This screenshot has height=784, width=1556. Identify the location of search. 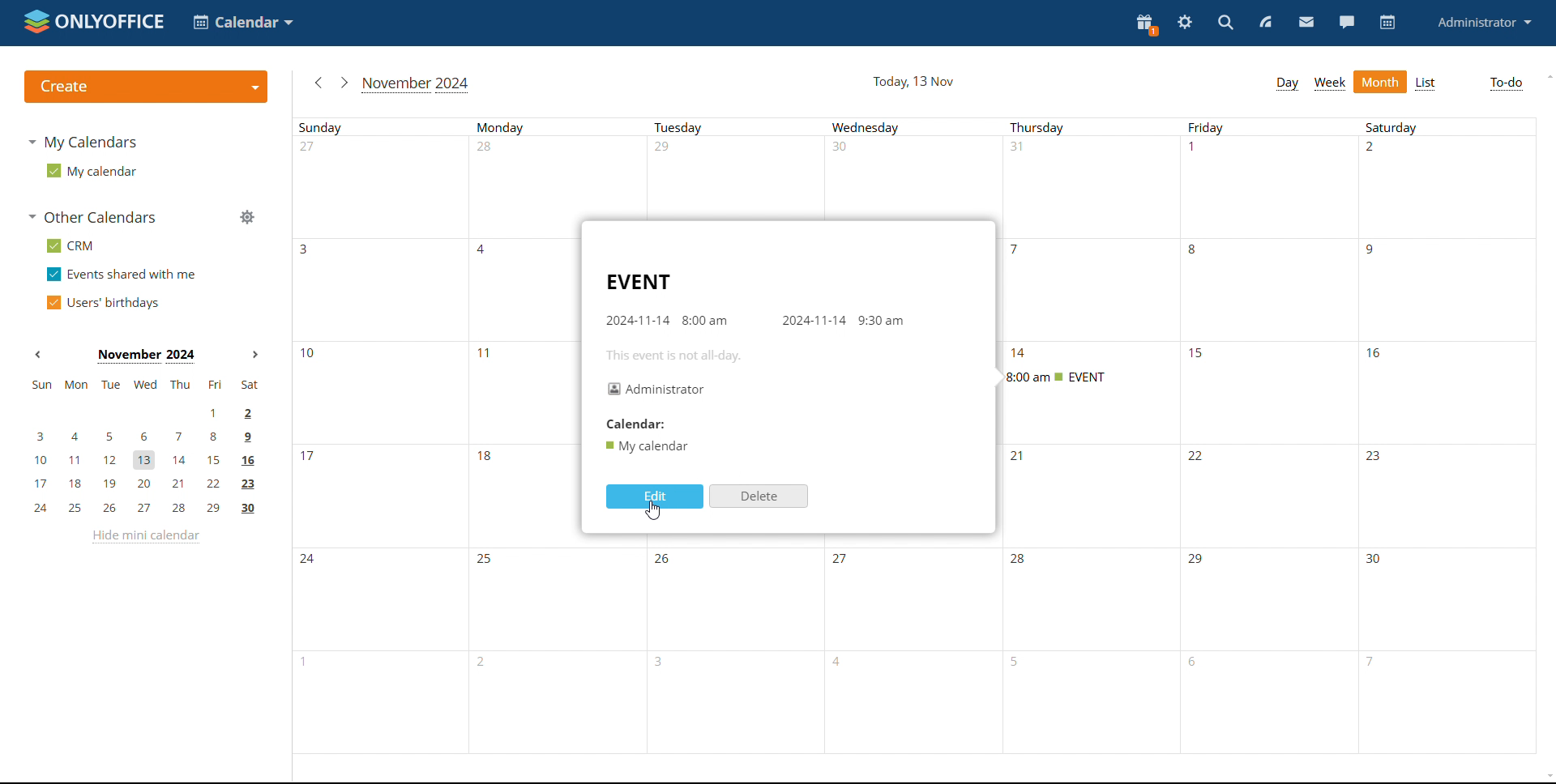
(1227, 23).